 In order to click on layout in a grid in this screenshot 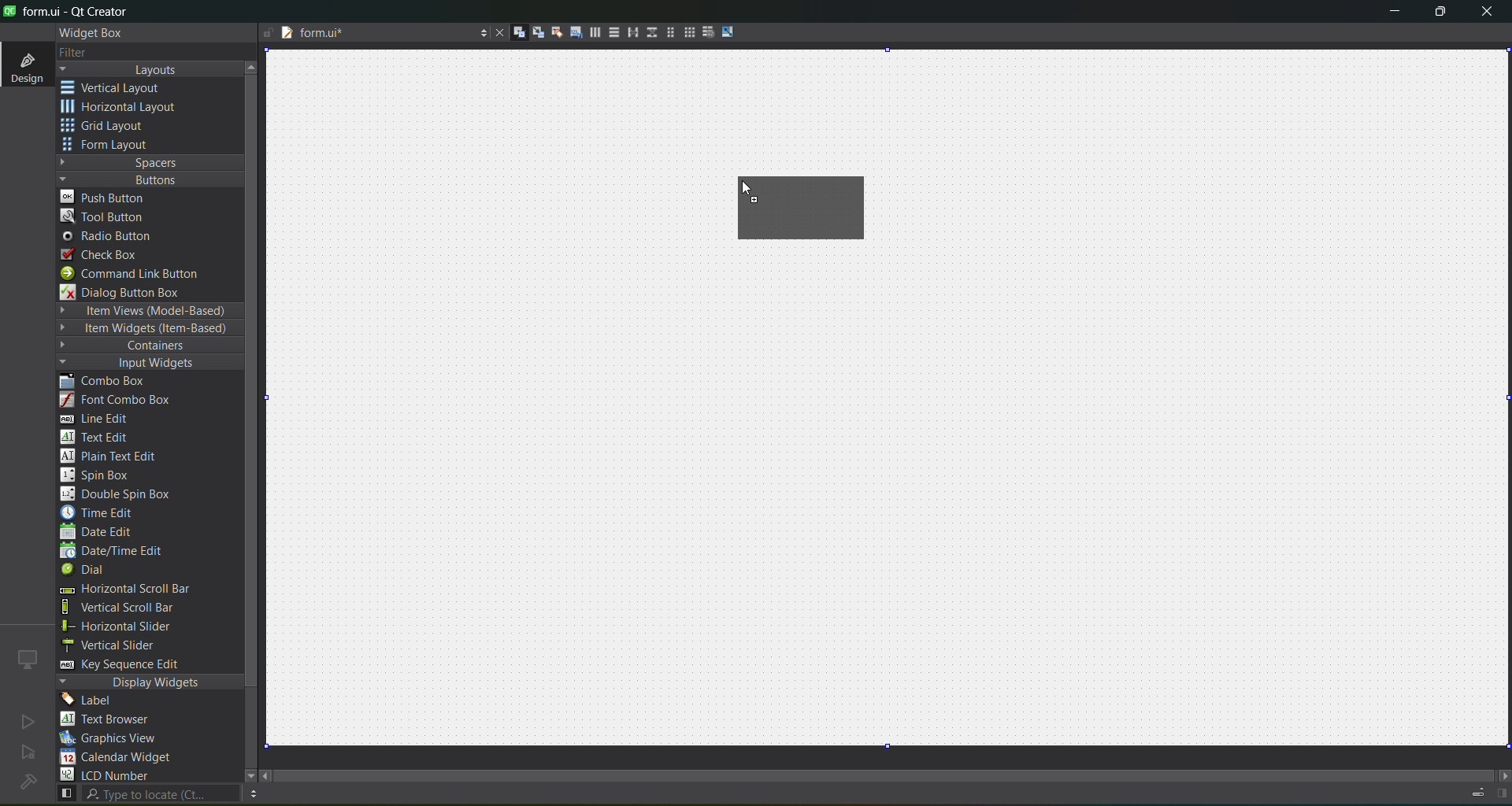, I will do `click(684, 32)`.